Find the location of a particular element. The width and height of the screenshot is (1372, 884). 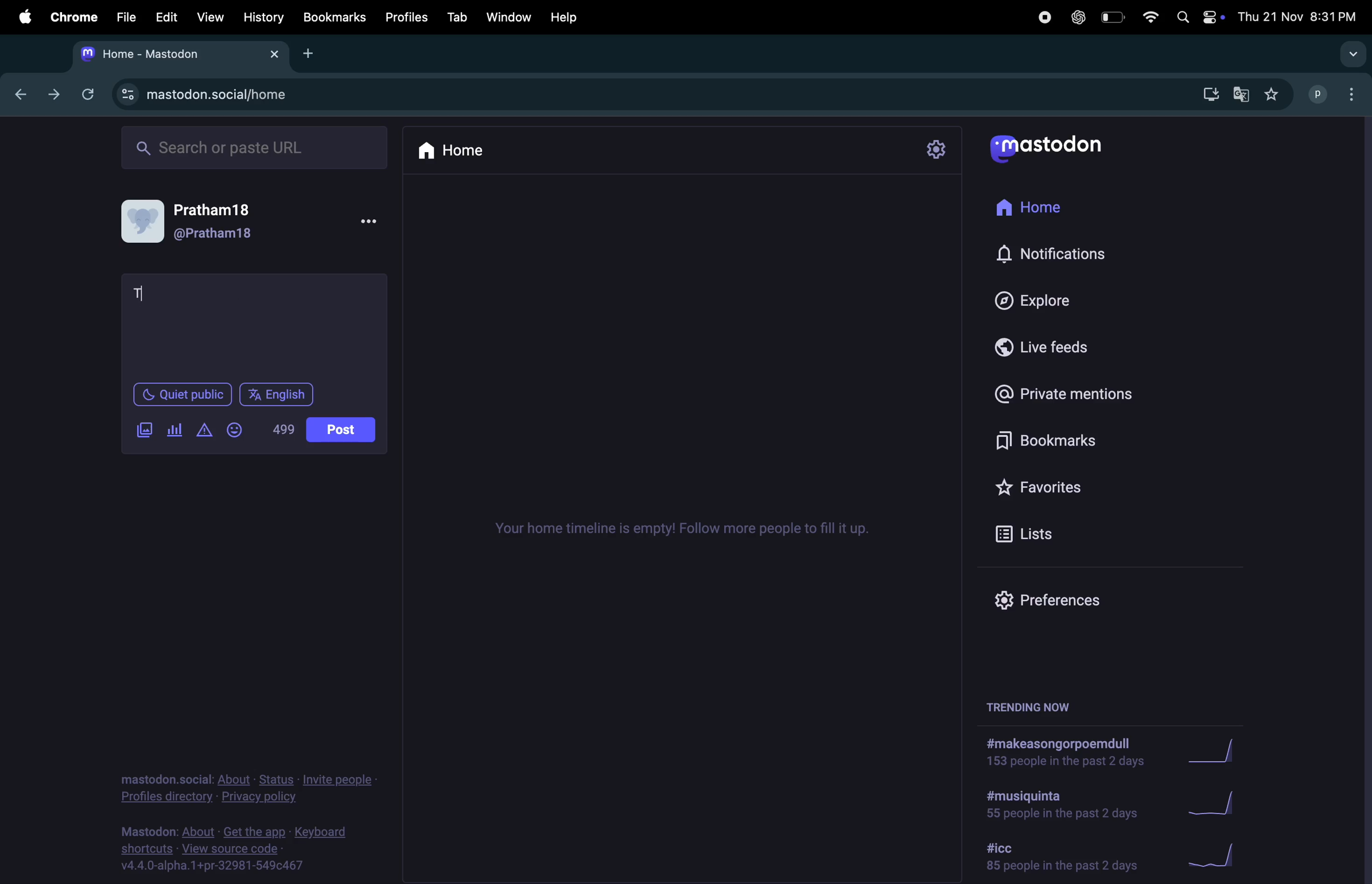

prefrences is located at coordinates (1069, 596).